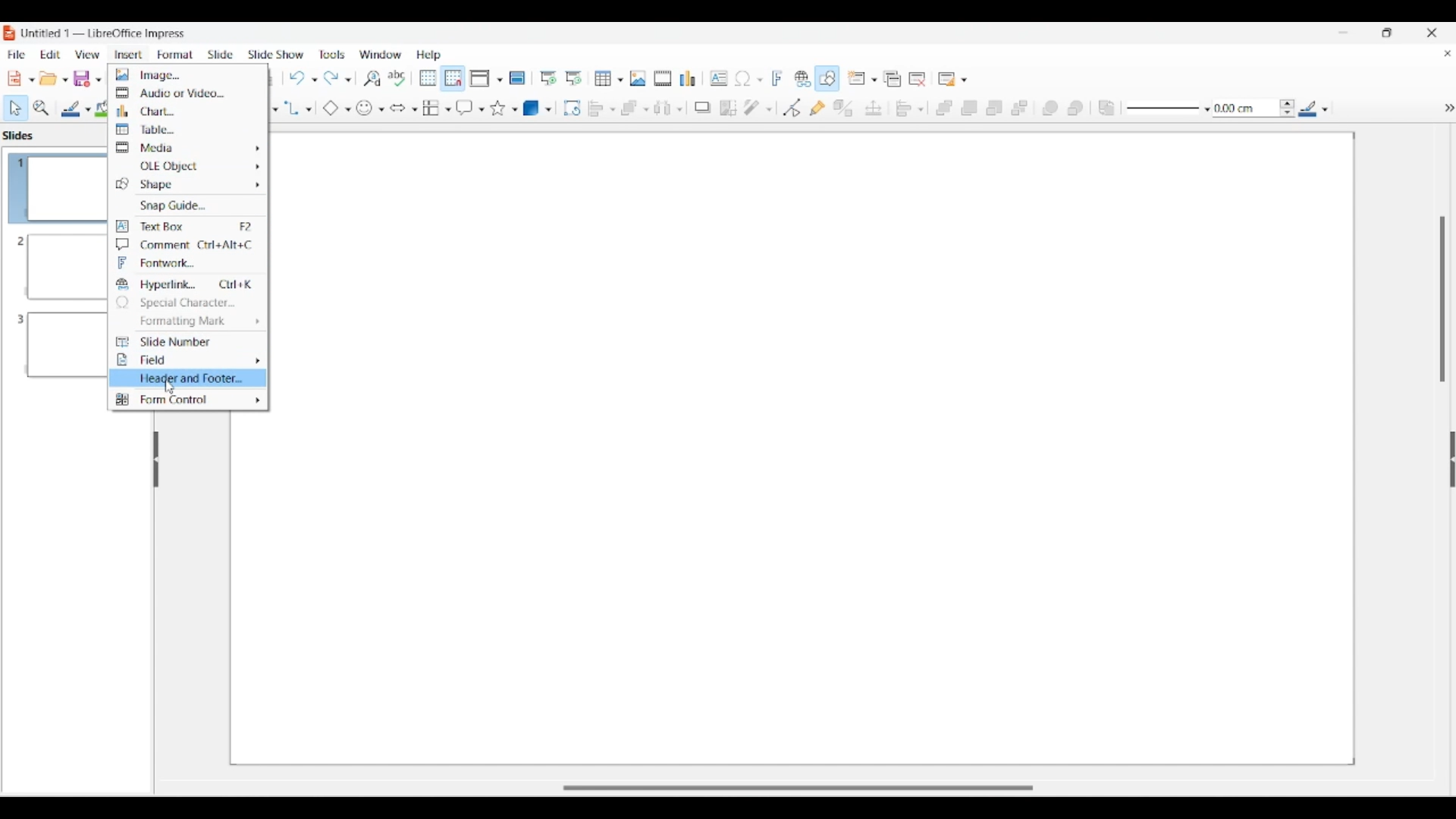 This screenshot has height=819, width=1456. Describe the element at coordinates (668, 108) in the screenshot. I see `Select at least 3 objects to distribute` at that location.